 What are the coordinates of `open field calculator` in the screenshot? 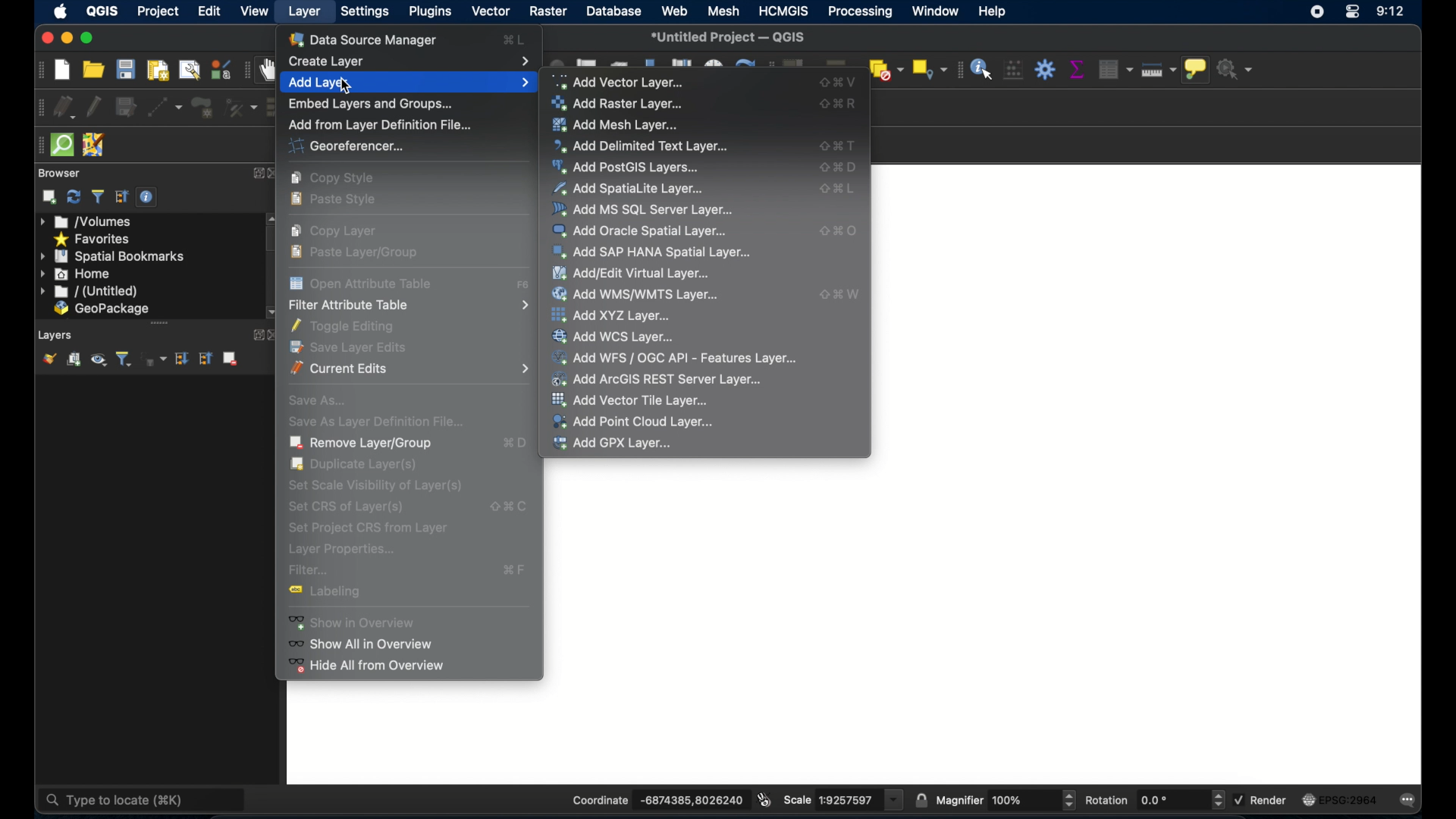 It's located at (1013, 70).